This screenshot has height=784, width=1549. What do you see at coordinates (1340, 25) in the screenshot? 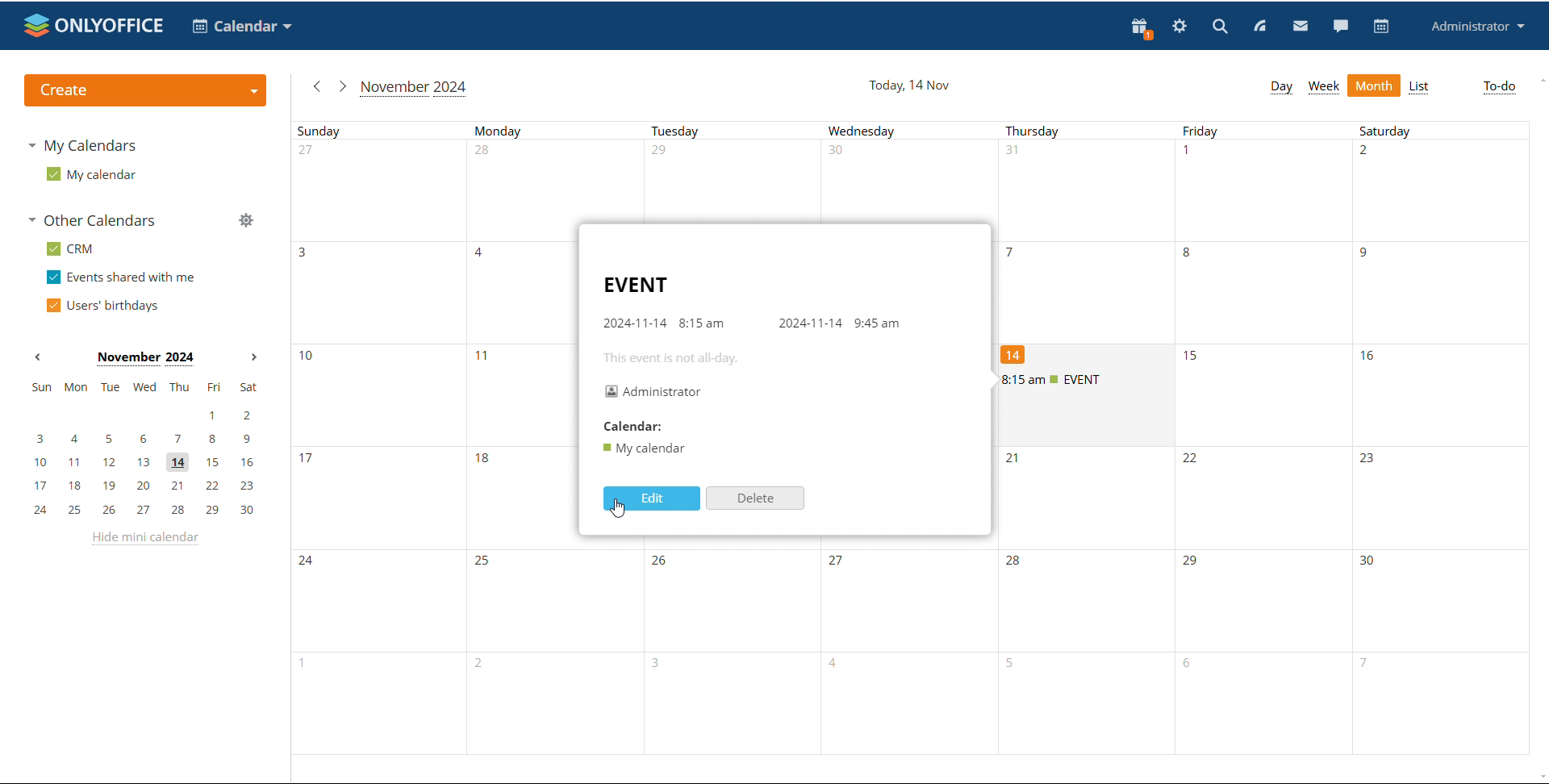
I see `chat` at bounding box center [1340, 25].